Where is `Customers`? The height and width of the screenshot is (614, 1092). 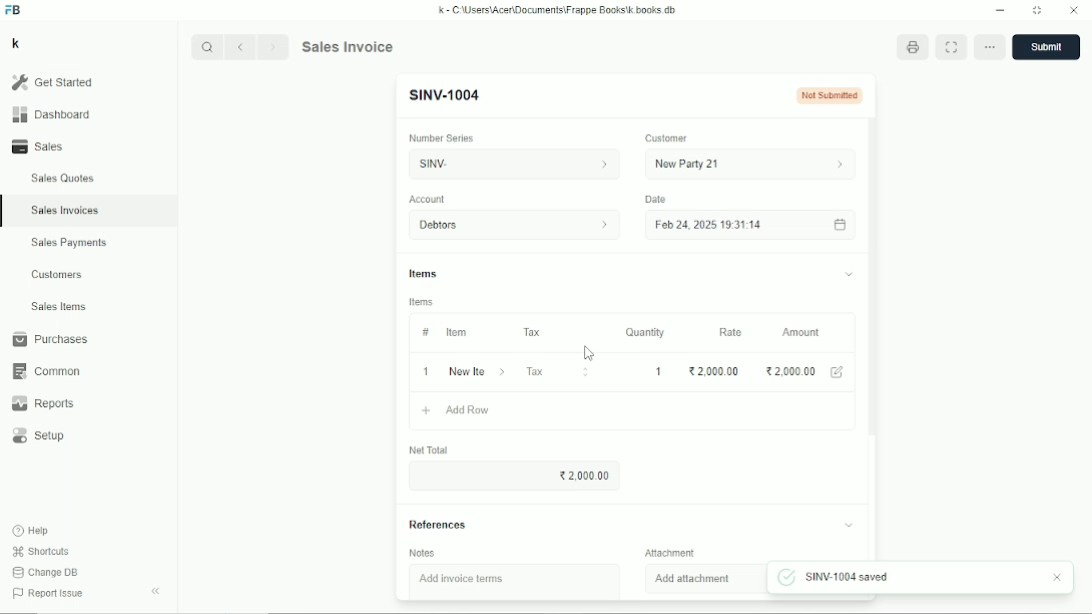
Customers is located at coordinates (58, 274).